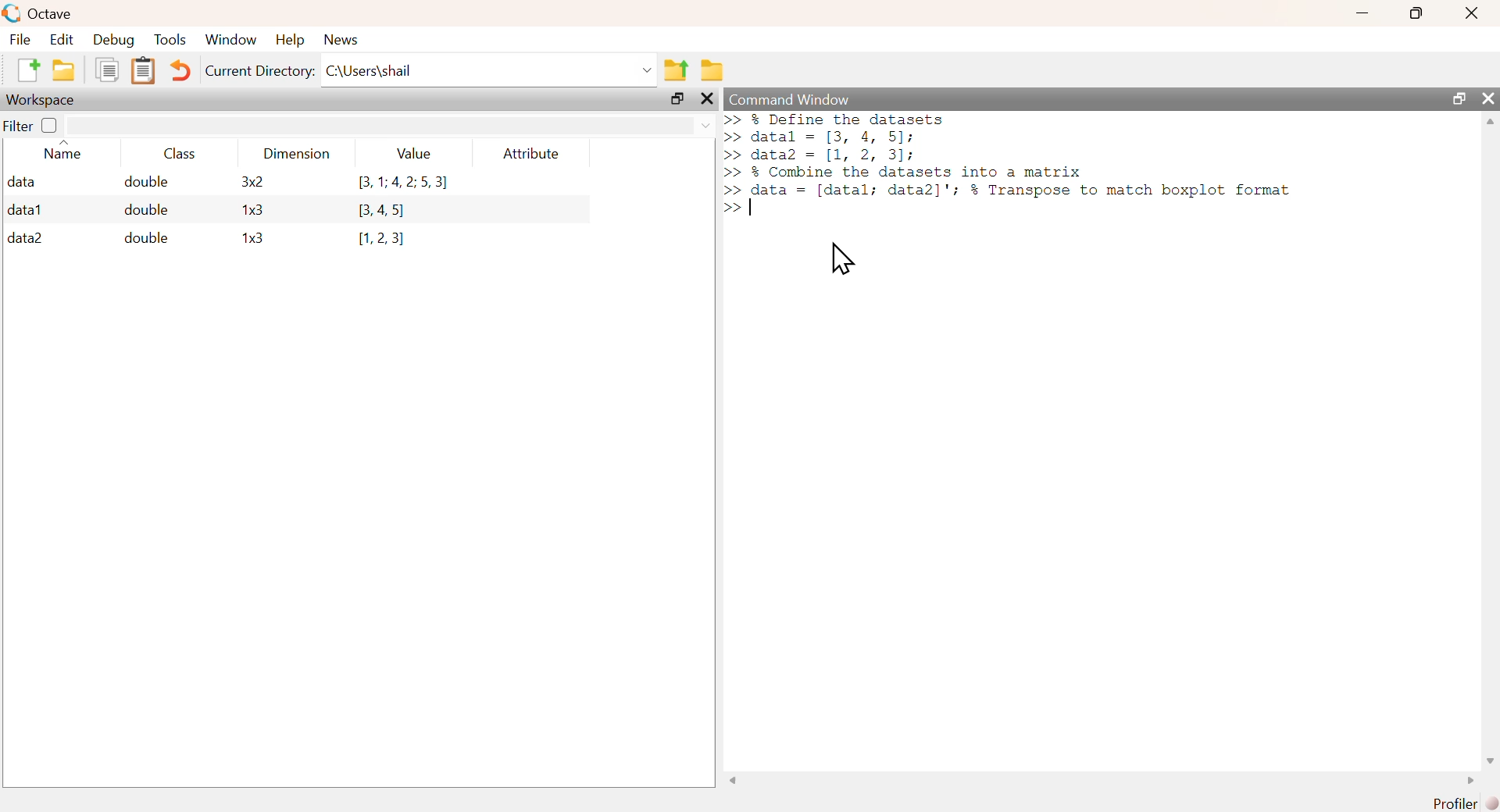 The width and height of the screenshot is (1500, 812). Describe the element at coordinates (26, 238) in the screenshot. I see `data2` at that location.